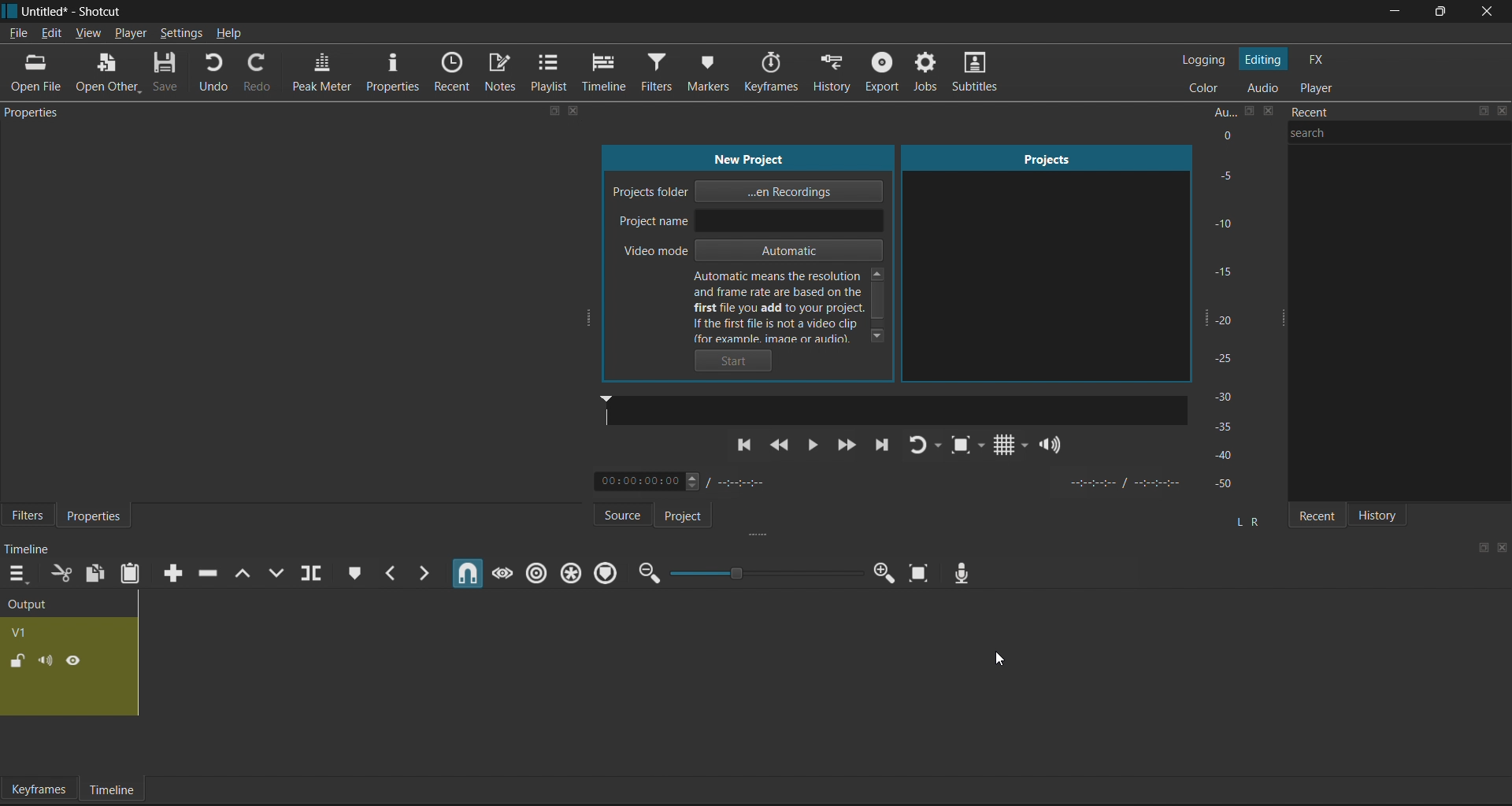 The width and height of the screenshot is (1512, 806). Describe the element at coordinates (608, 72) in the screenshot. I see `Timeline` at that location.